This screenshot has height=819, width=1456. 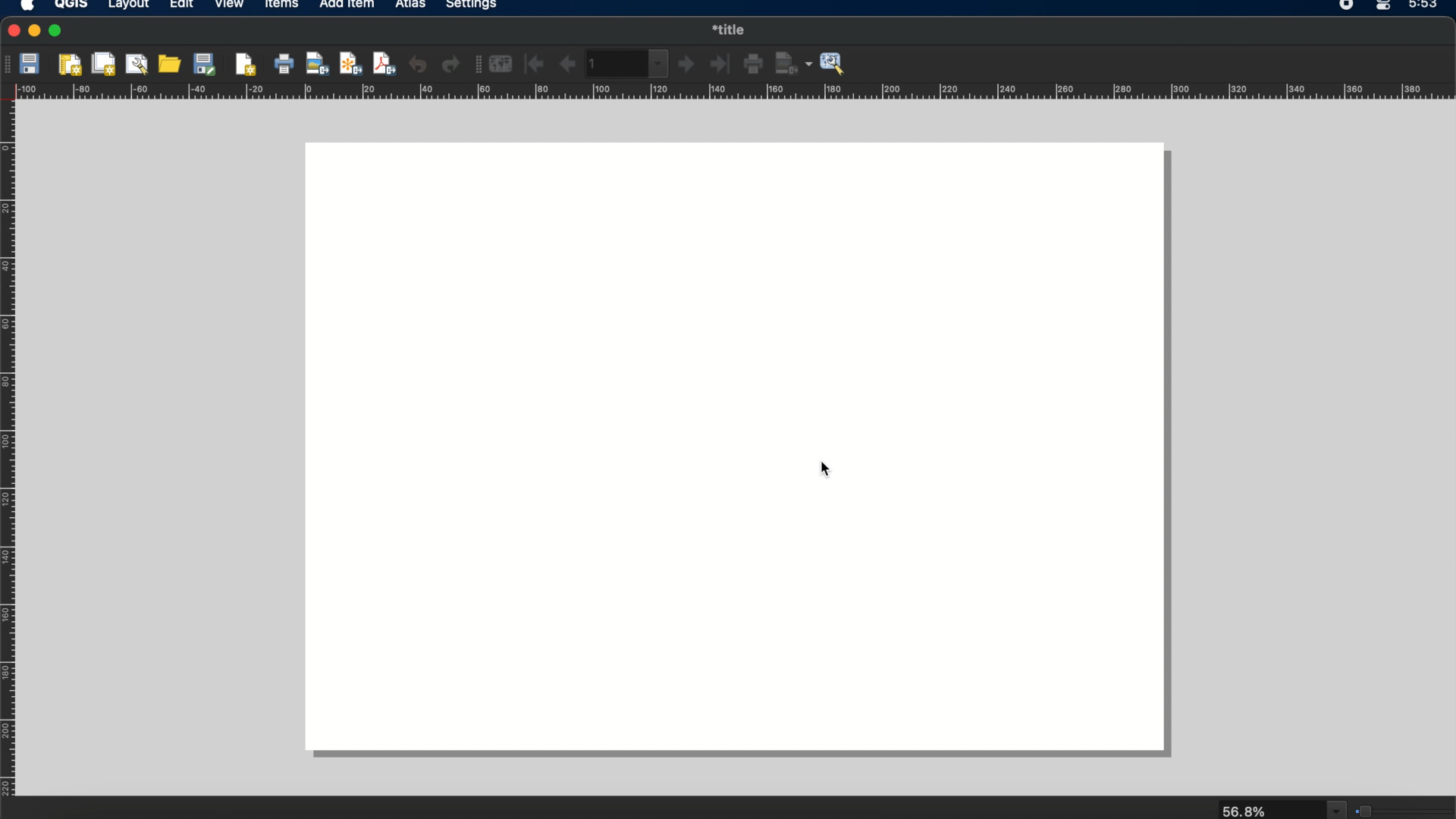 I want to click on zoom level, so click(x=1406, y=810).